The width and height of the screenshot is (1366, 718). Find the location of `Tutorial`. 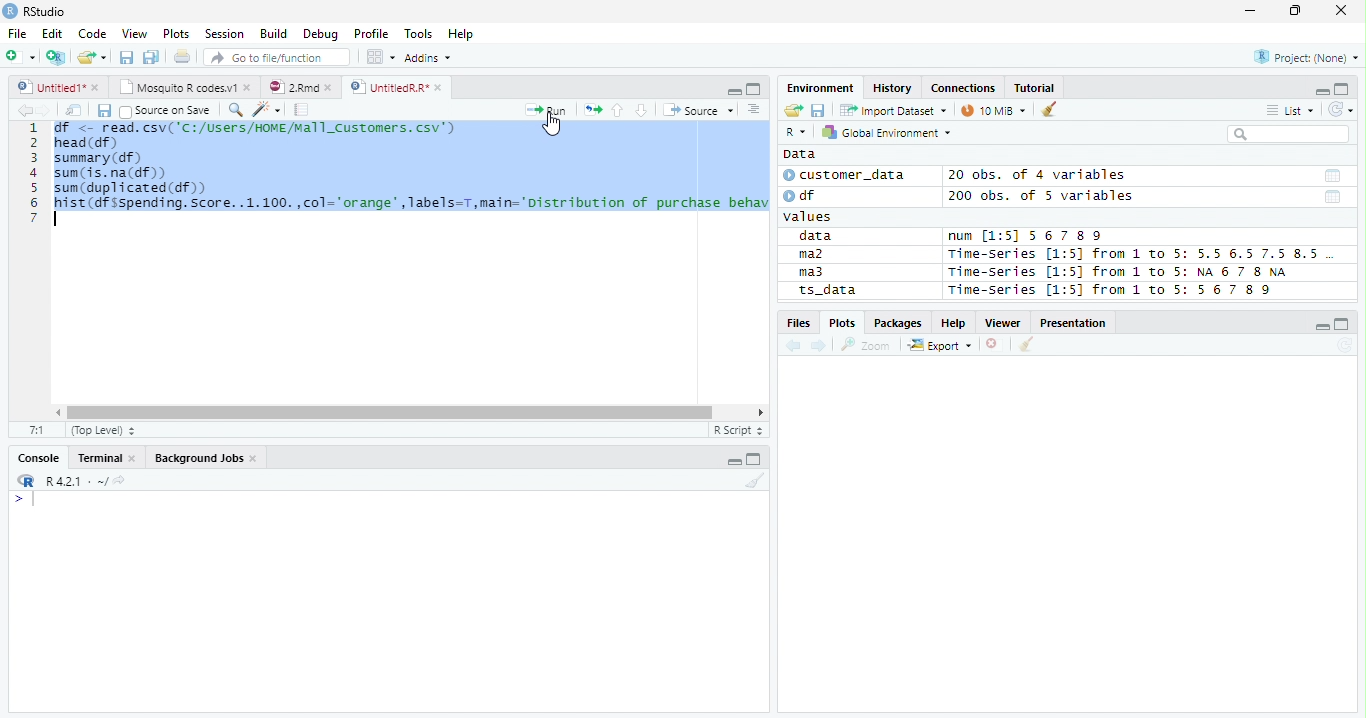

Tutorial is located at coordinates (1035, 87).